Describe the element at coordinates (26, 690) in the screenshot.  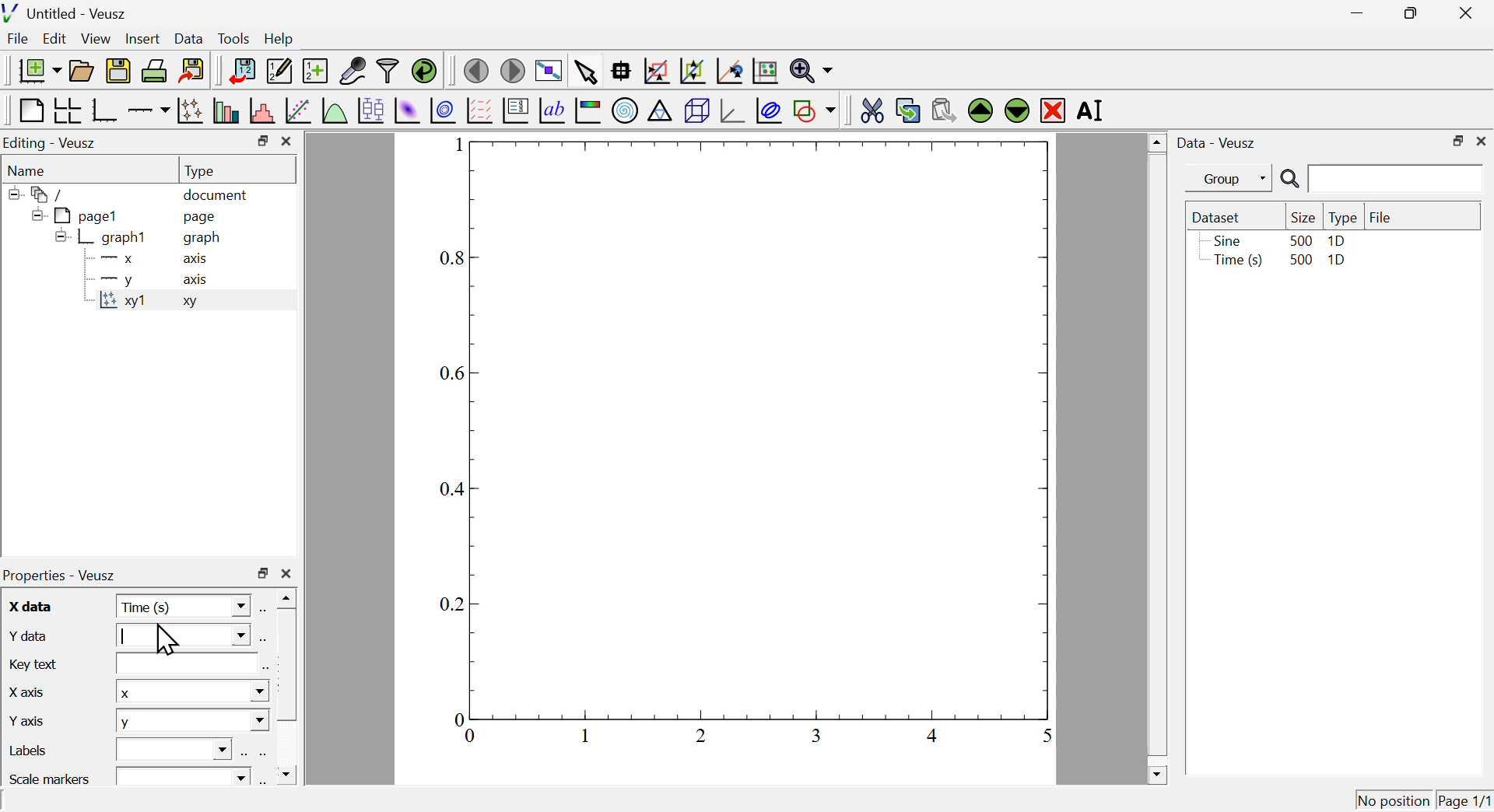
I see `x axis` at that location.